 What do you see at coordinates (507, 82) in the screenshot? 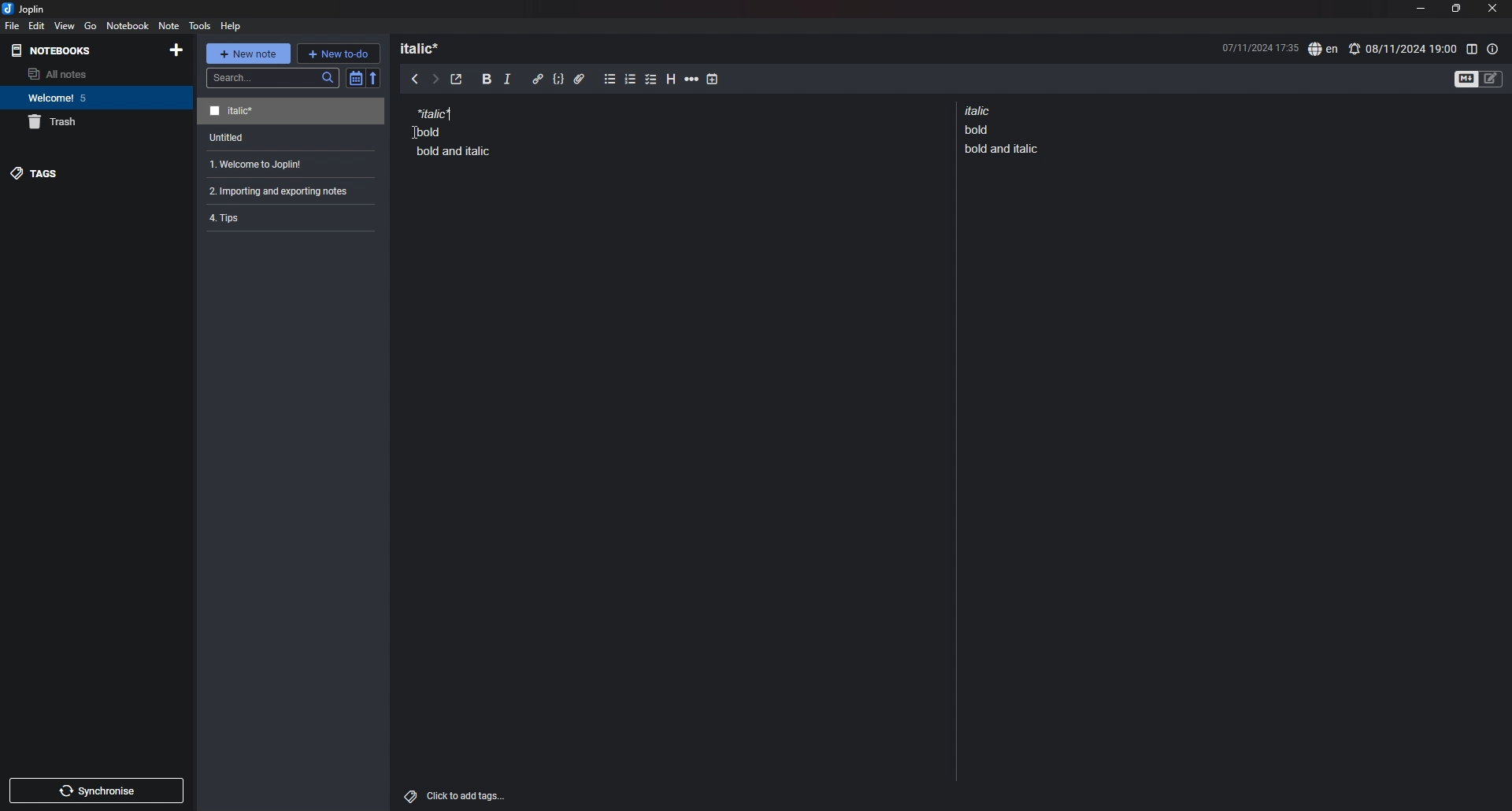
I see `italic` at bounding box center [507, 82].